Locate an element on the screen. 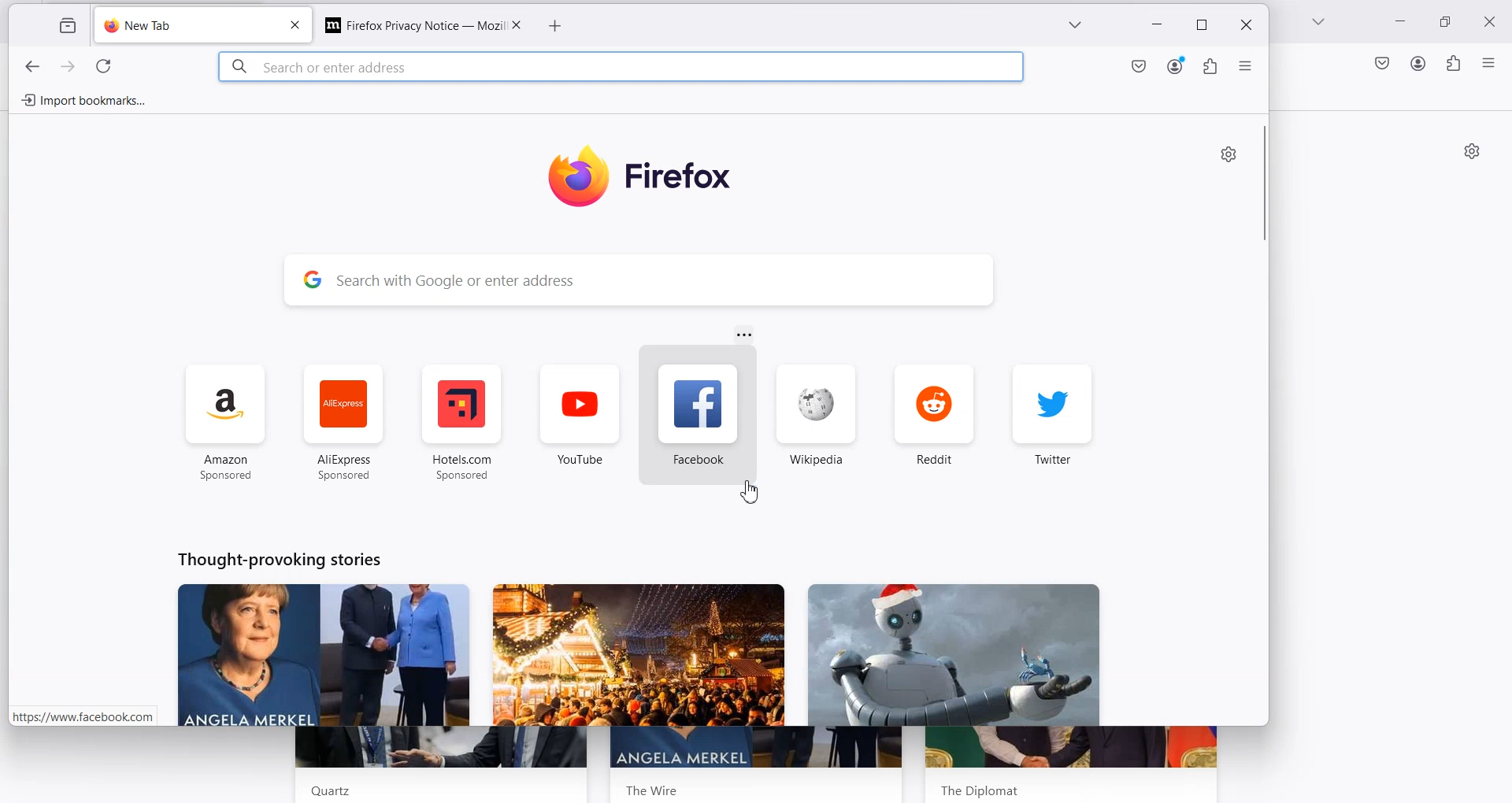 The width and height of the screenshot is (1512, 803). wikipedia is located at coordinates (816, 417).